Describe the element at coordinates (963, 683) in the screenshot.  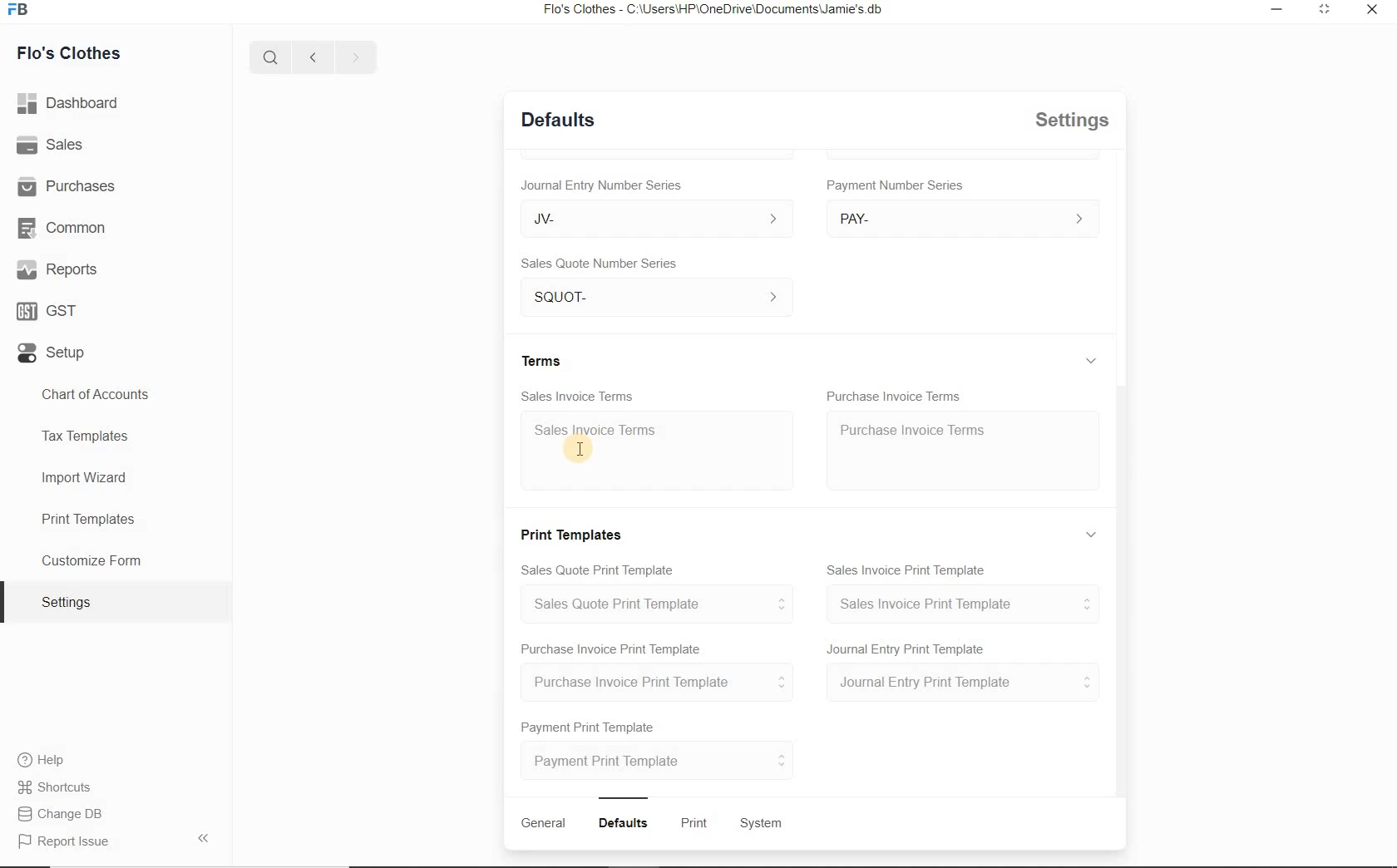
I see `Journal Entry Print Template` at that location.